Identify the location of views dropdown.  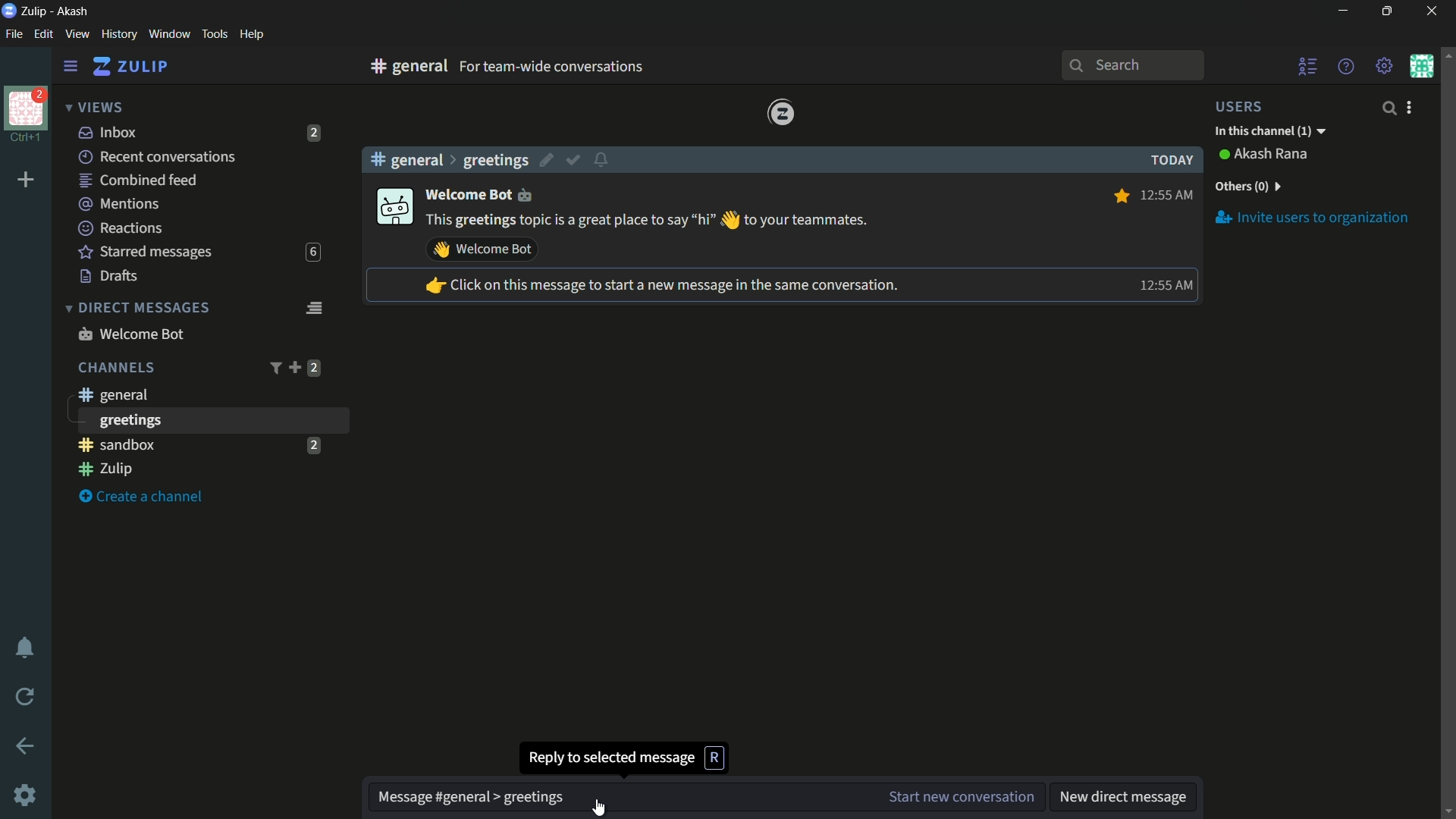
(94, 108).